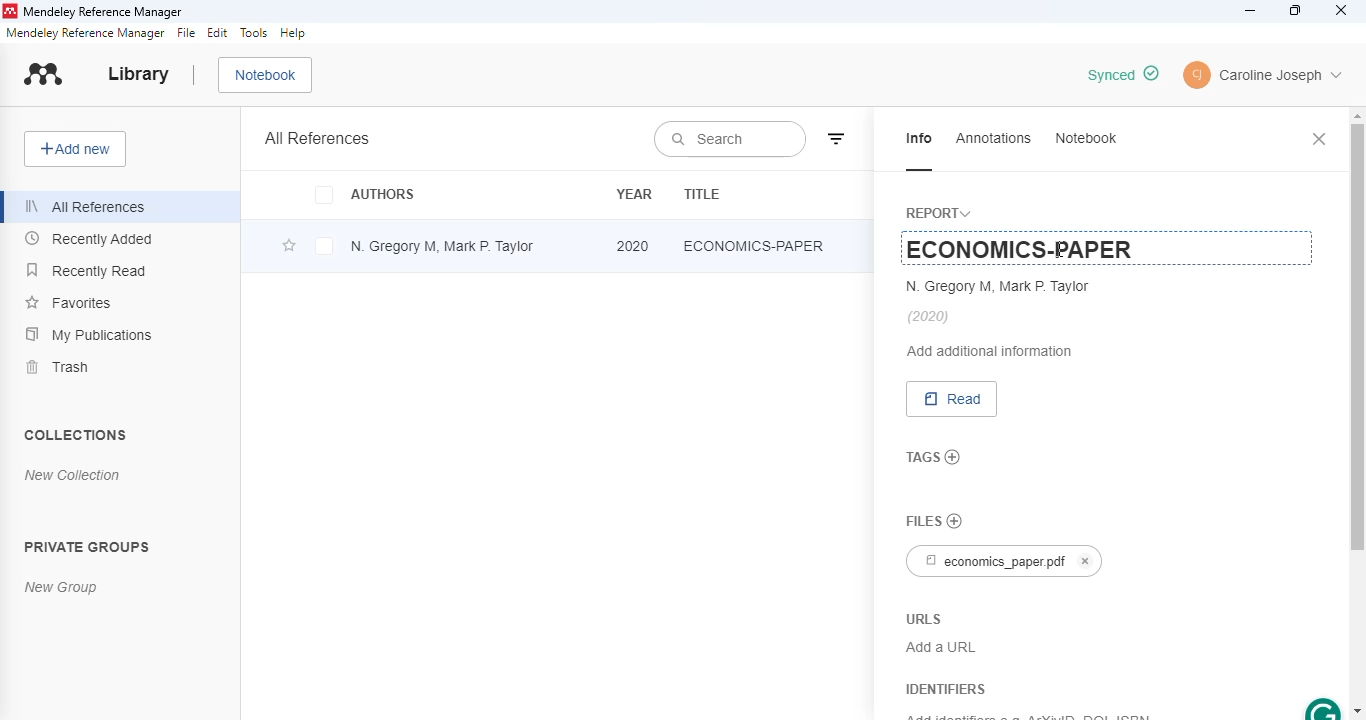 This screenshot has height=720, width=1366. Describe the element at coordinates (920, 456) in the screenshot. I see `tags` at that location.